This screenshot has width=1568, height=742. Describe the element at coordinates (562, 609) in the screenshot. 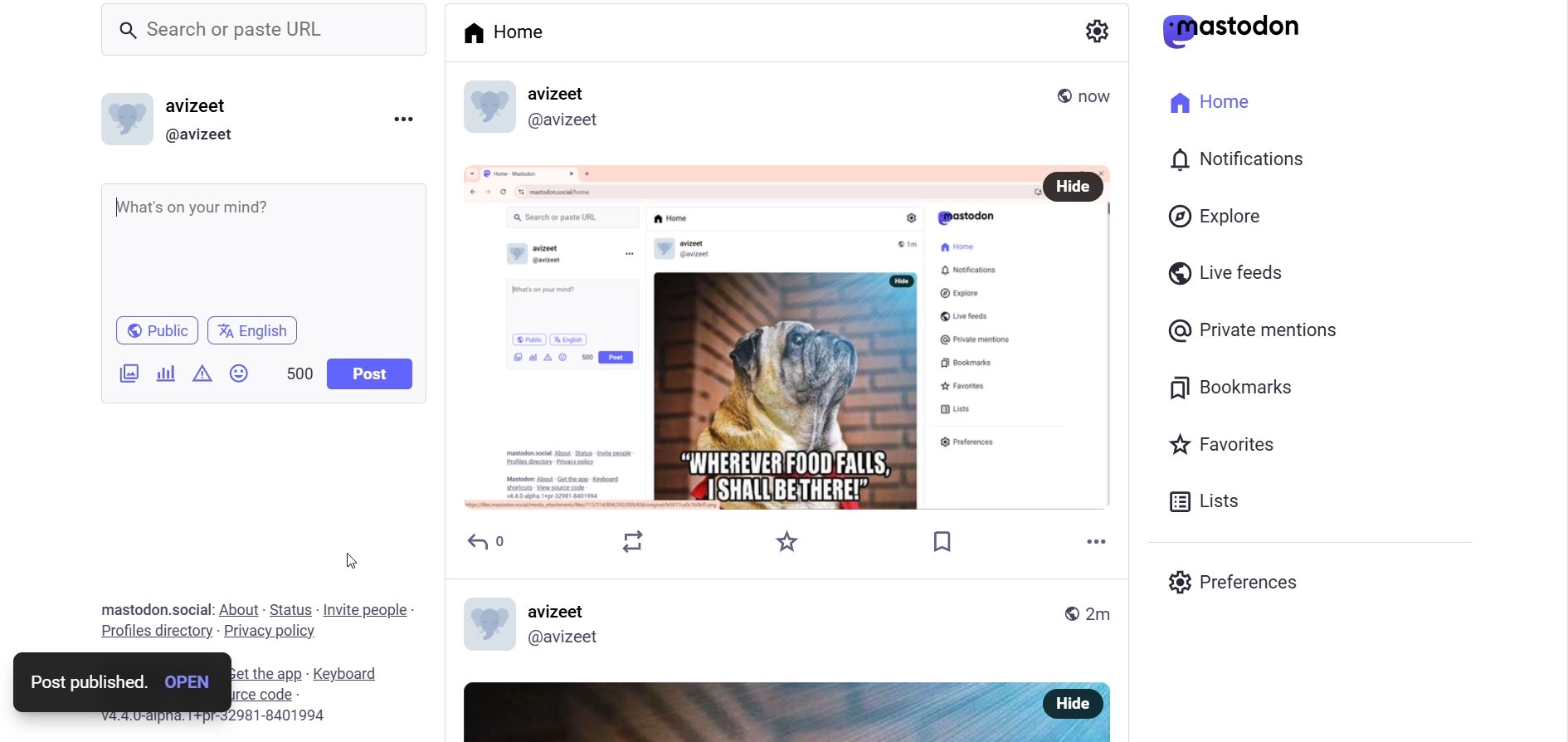

I see `avizeet` at that location.